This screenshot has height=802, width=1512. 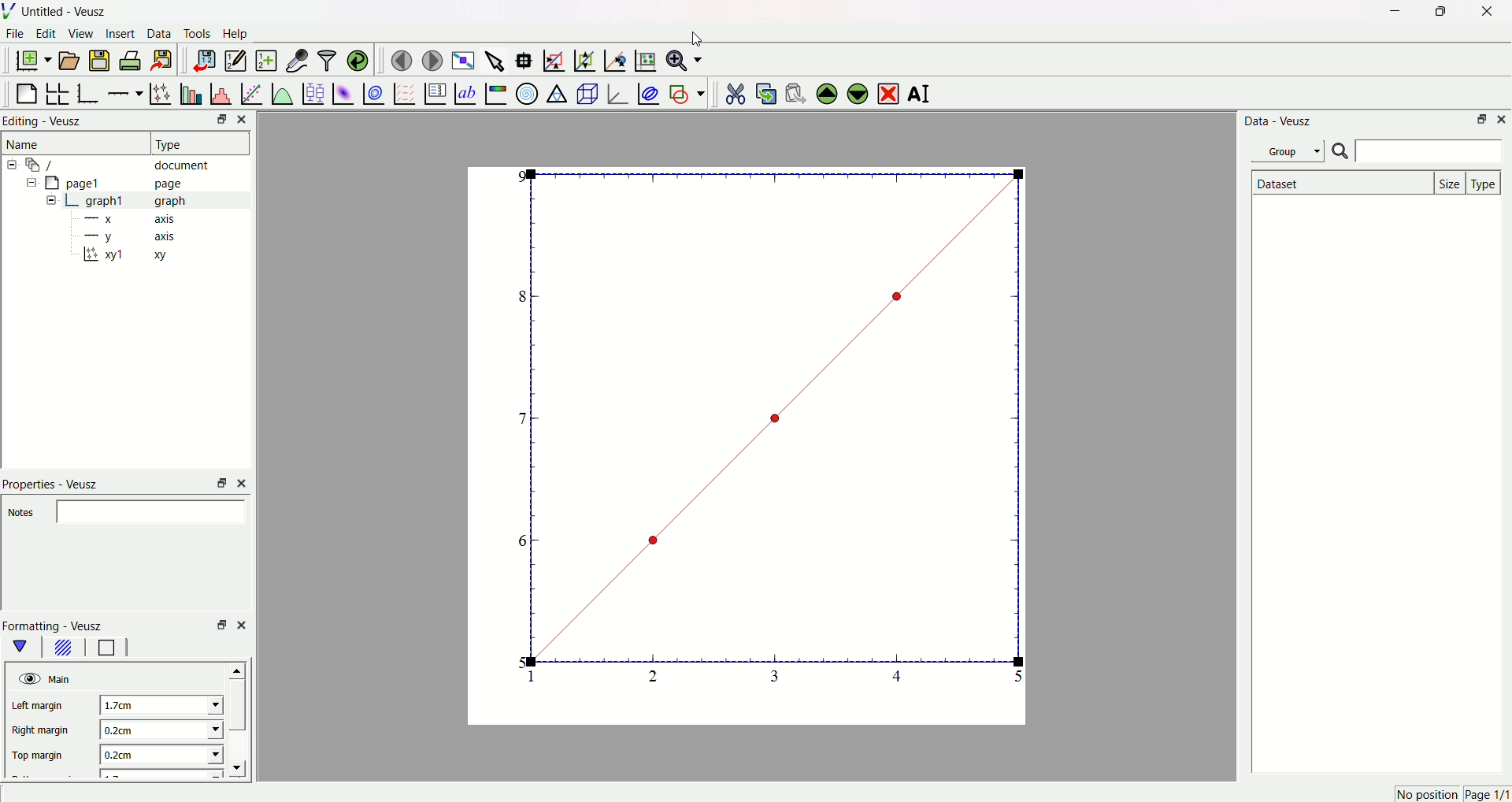 What do you see at coordinates (1425, 794) in the screenshot?
I see `no position` at bounding box center [1425, 794].